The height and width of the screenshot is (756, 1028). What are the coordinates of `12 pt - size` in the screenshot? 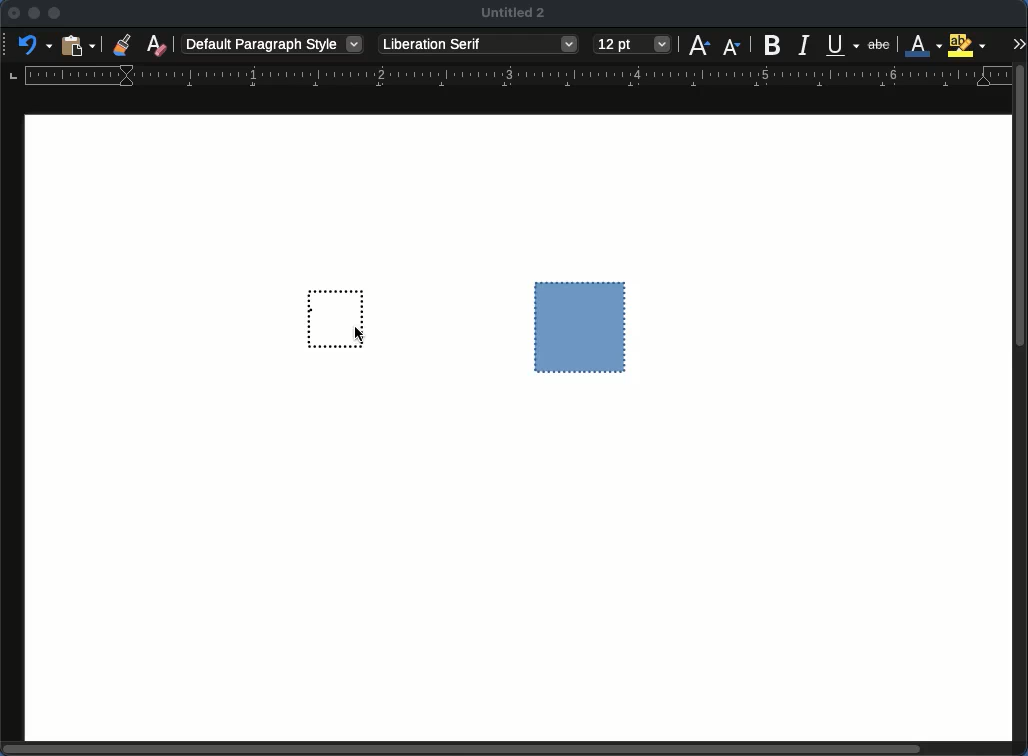 It's located at (632, 44).